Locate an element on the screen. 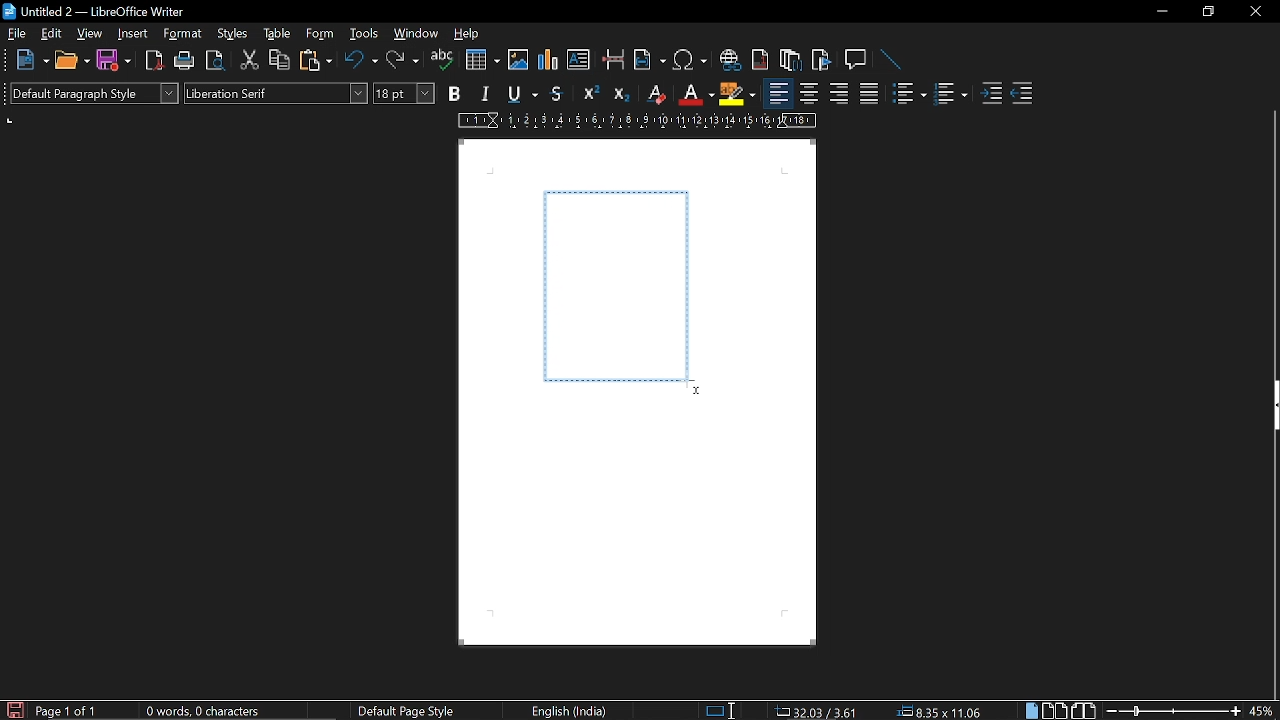 The height and width of the screenshot is (720, 1280). strikethrough is located at coordinates (558, 94).